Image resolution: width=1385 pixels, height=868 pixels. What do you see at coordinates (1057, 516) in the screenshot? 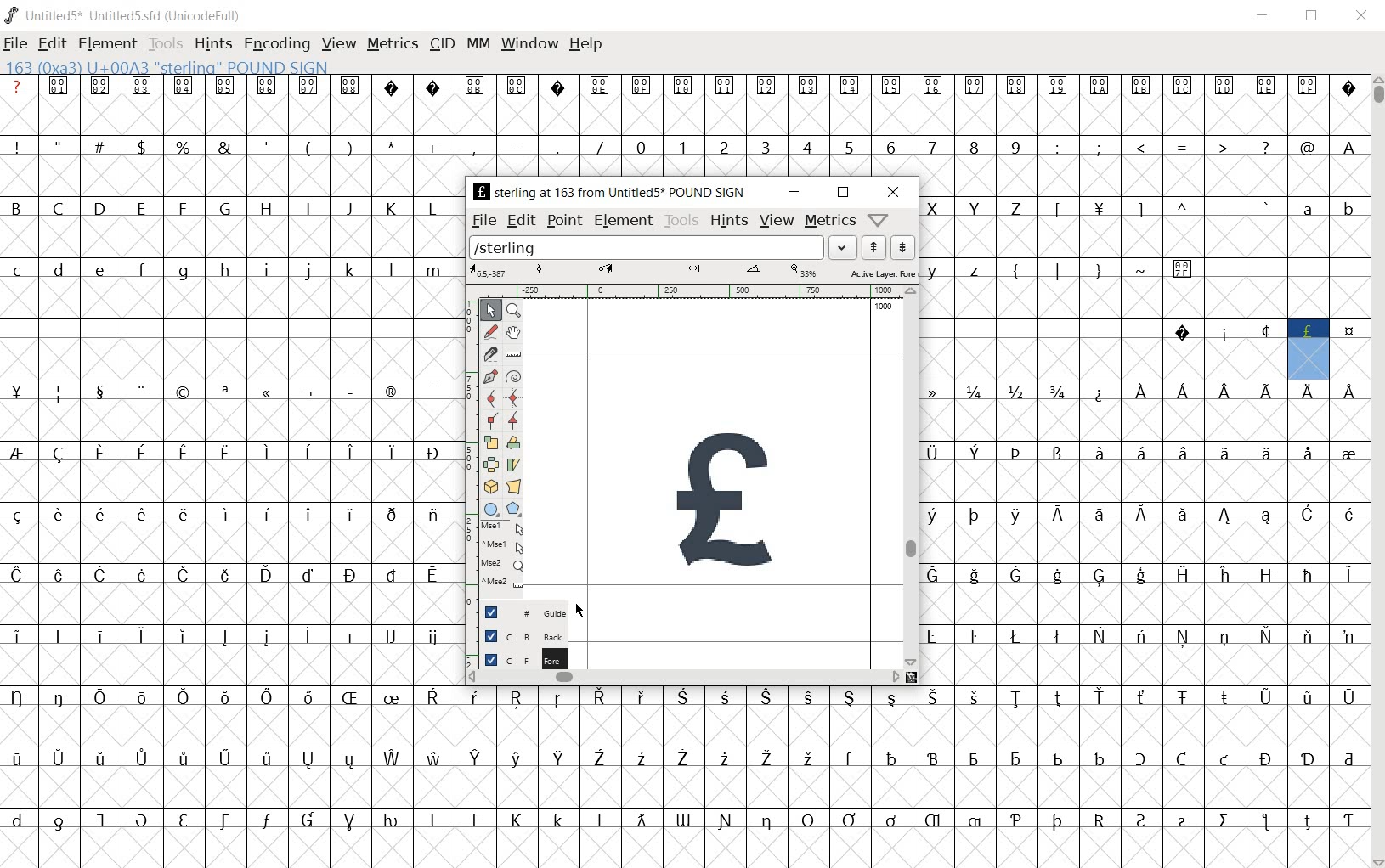
I see `Symbol` at bounding box center [1057, 516].